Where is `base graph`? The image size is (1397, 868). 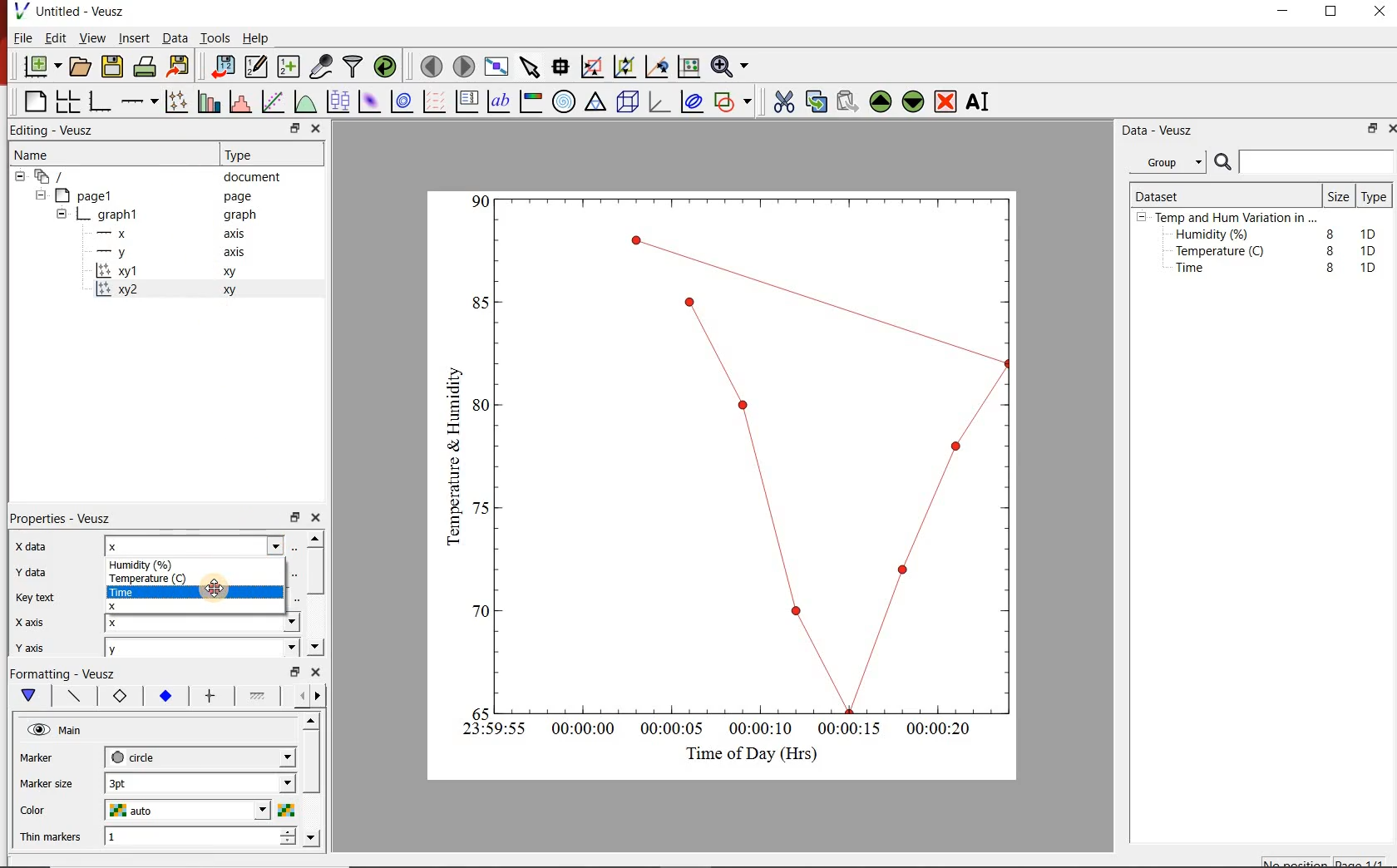 base graph is located at coordinates (101, 99).